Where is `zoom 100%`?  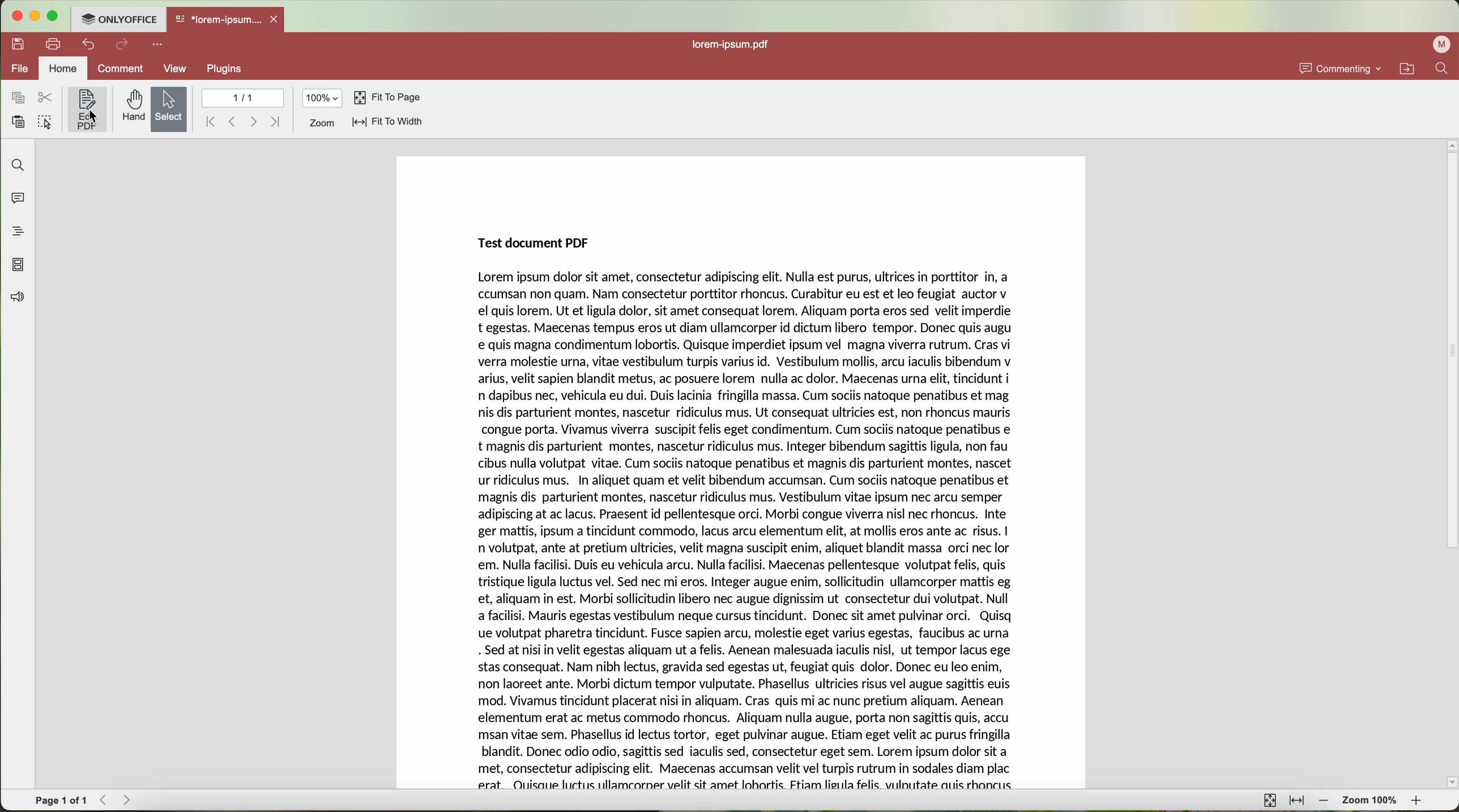
zoom 100% is located at coordinates (1371, 802).